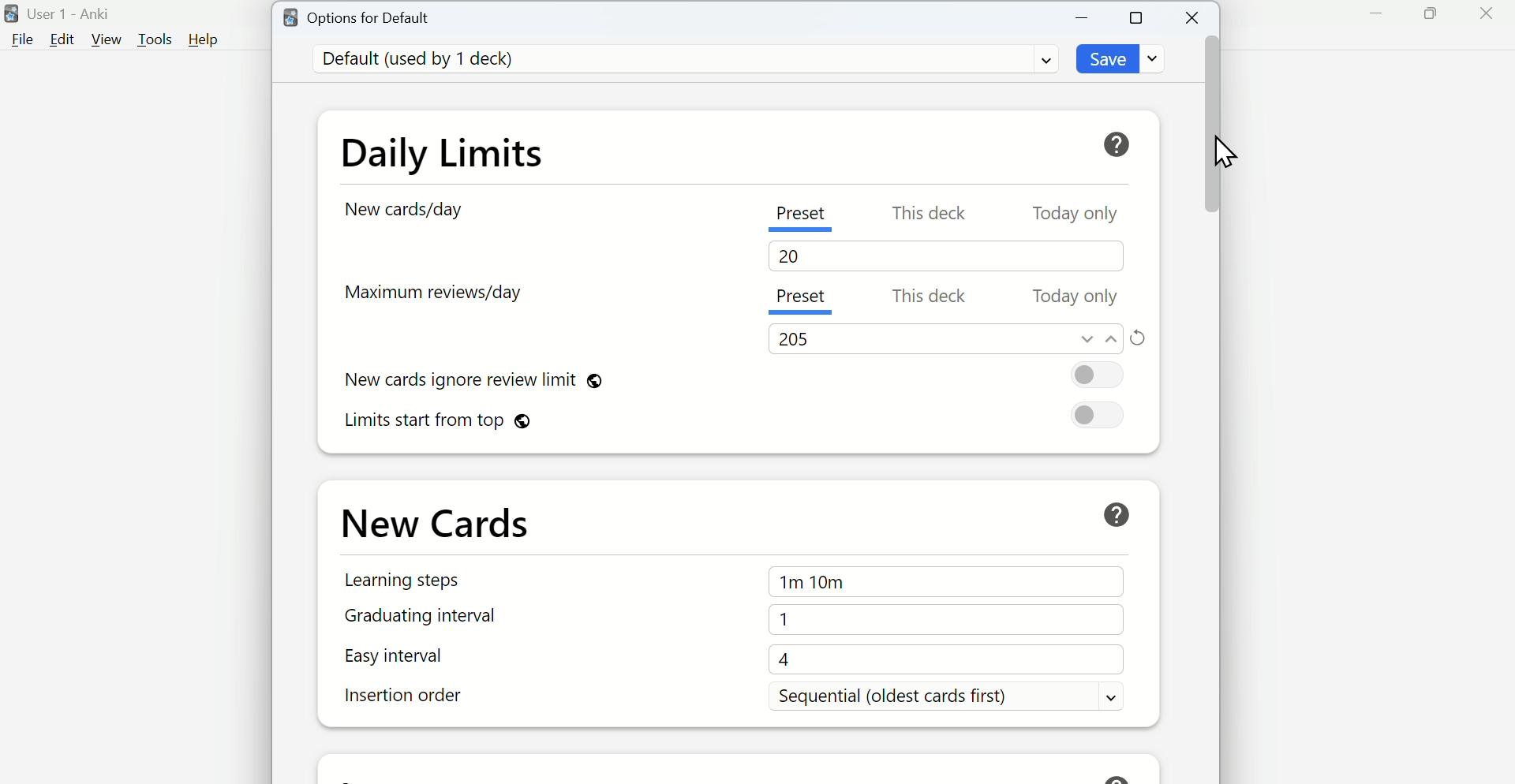 The image size is (1515, 784). What do you see at coordinates (1118, 144) in the screenshot?
I see `Help` at bounding box center [1118, 144].